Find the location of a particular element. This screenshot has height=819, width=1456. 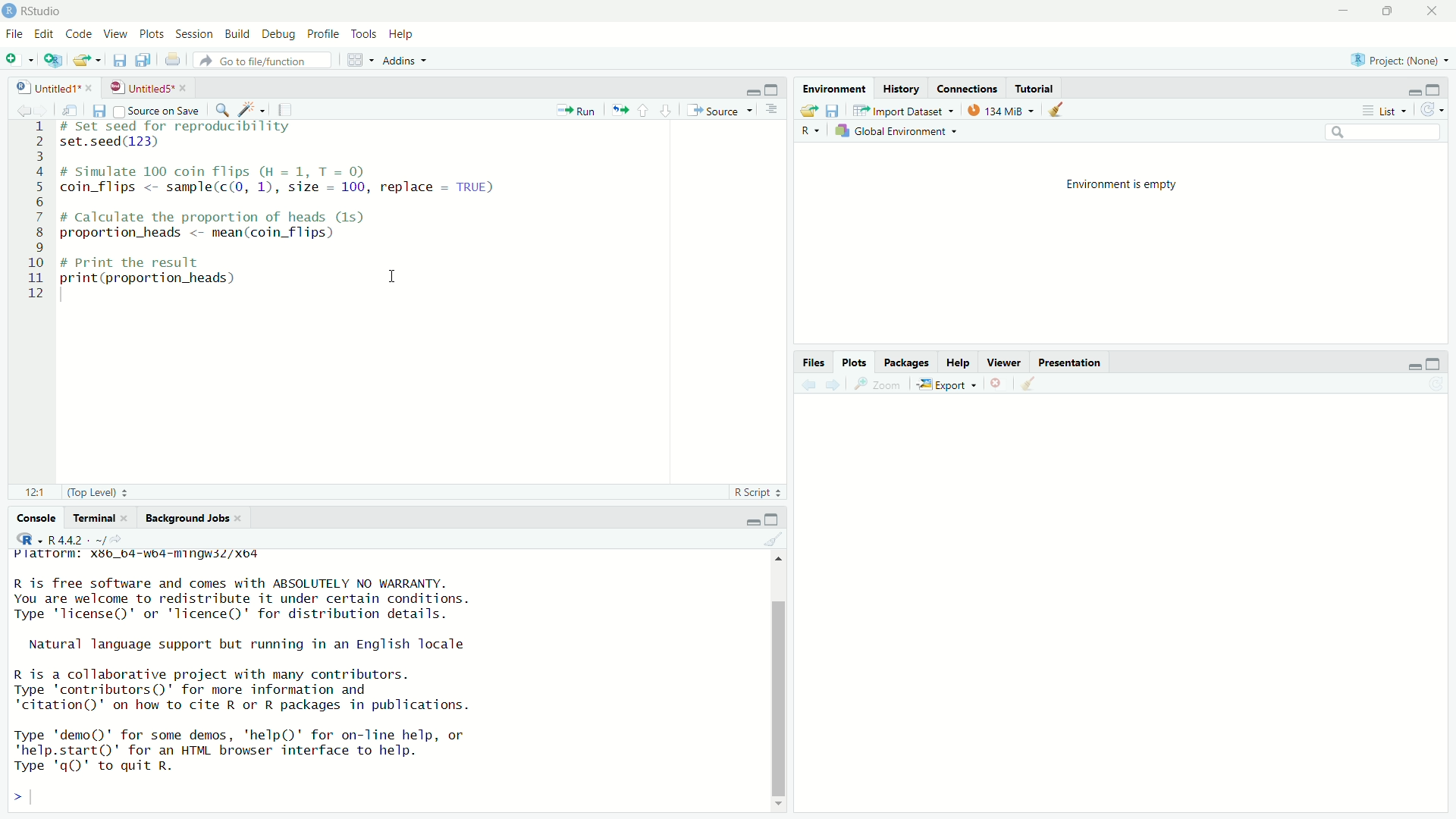

clear console is located at coordinates (775, 541).